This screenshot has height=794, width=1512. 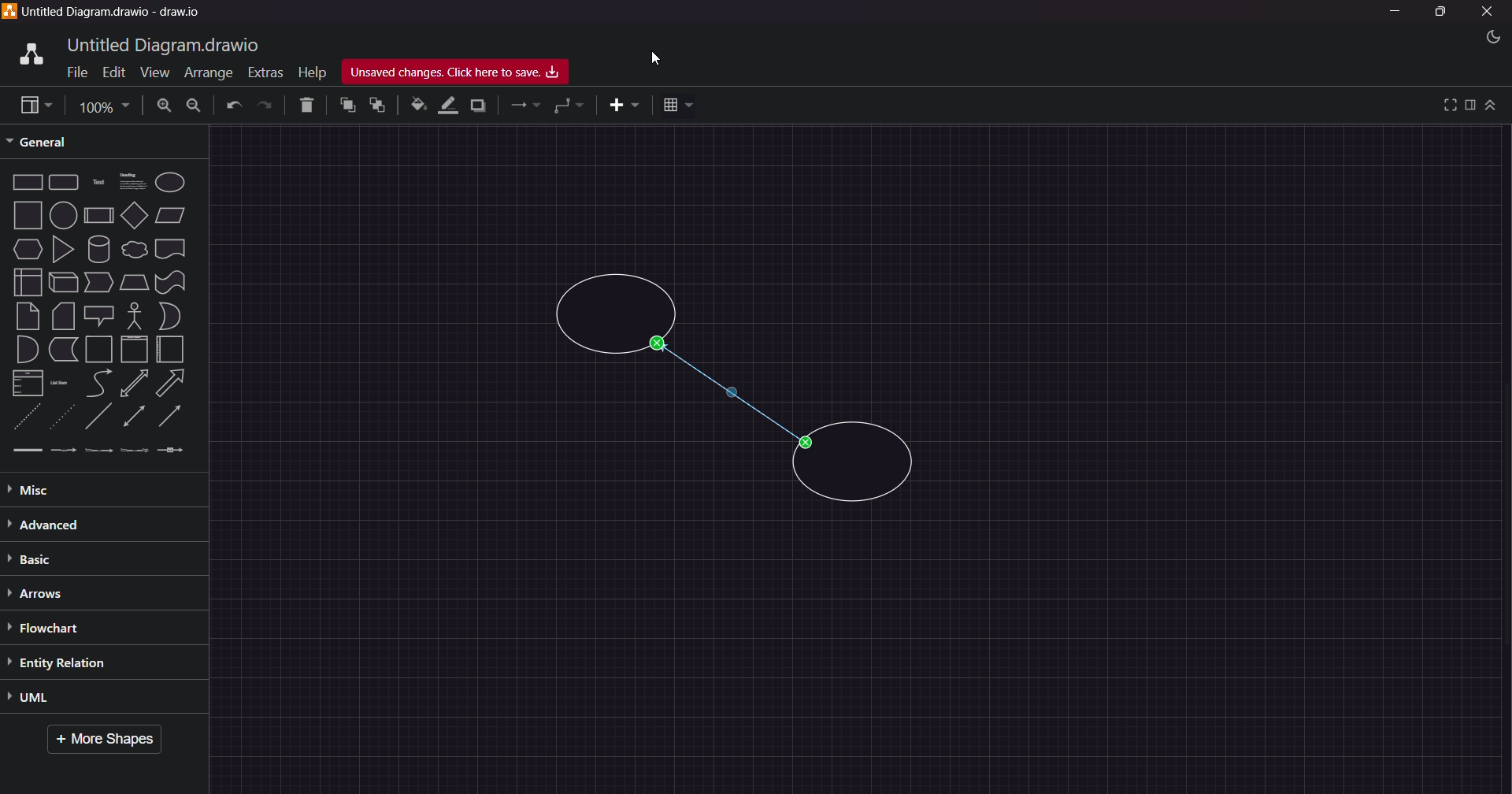 I want to click on Connected circle, so click(x=732, y=388).